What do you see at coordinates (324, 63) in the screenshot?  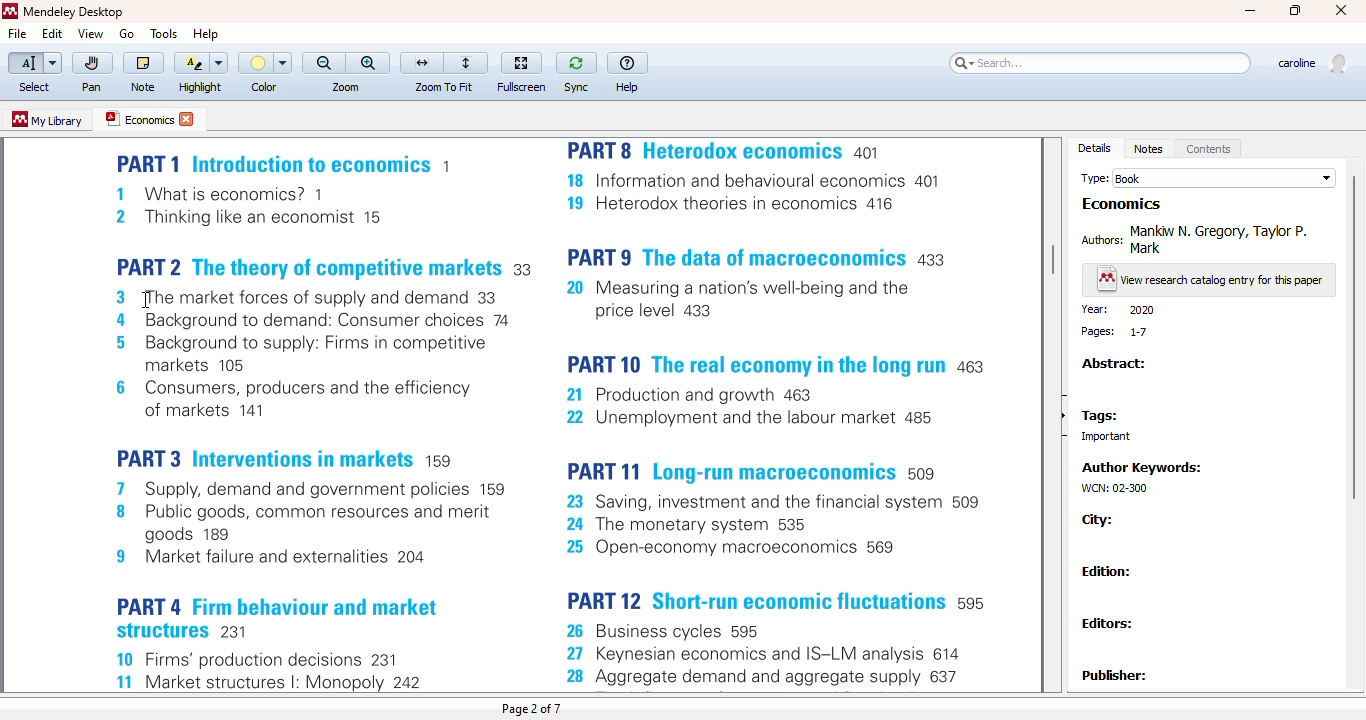 I see `zoom out` at bounding box center [324, 63].